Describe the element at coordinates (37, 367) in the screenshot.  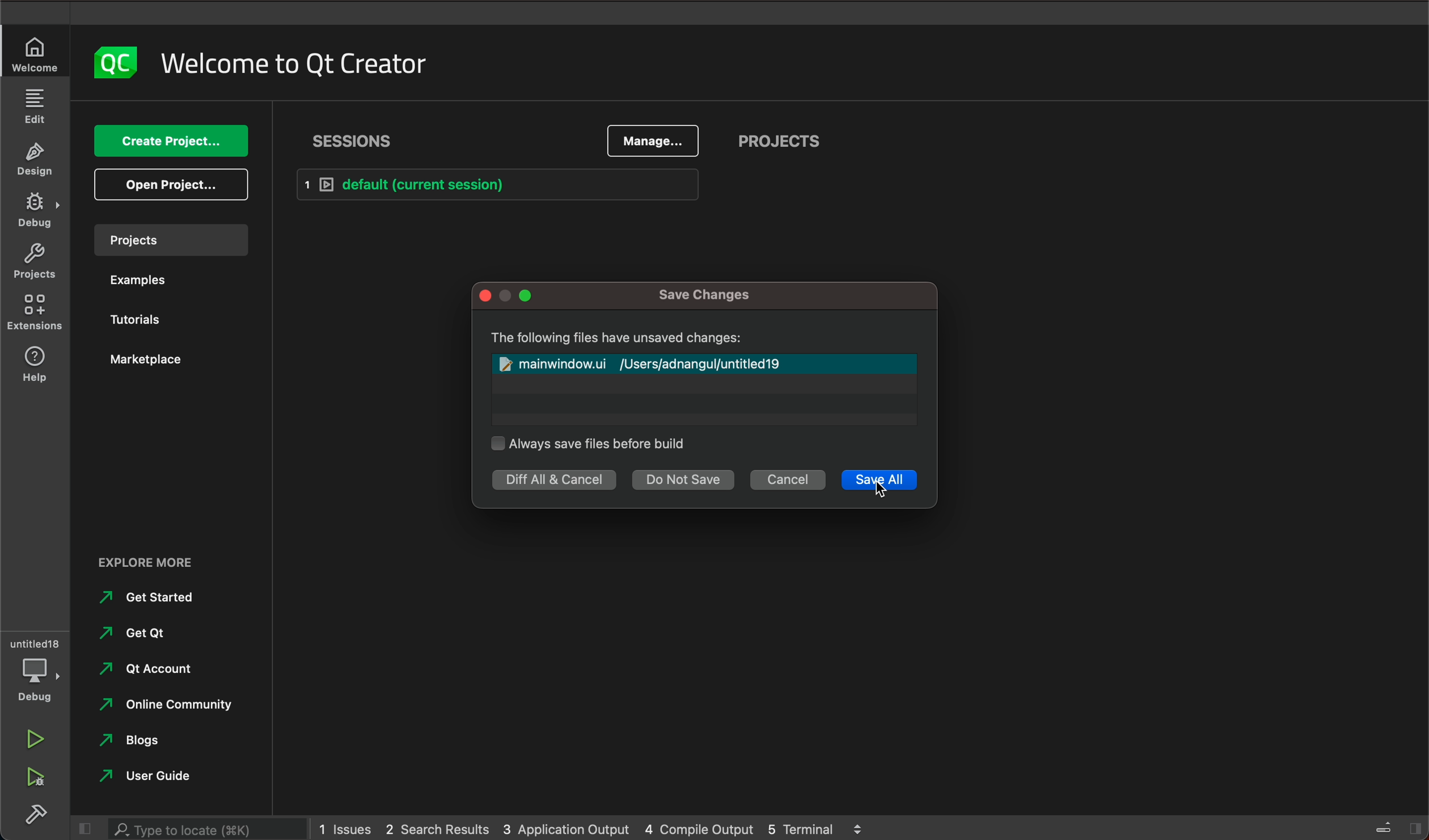
I see `help` at that location.